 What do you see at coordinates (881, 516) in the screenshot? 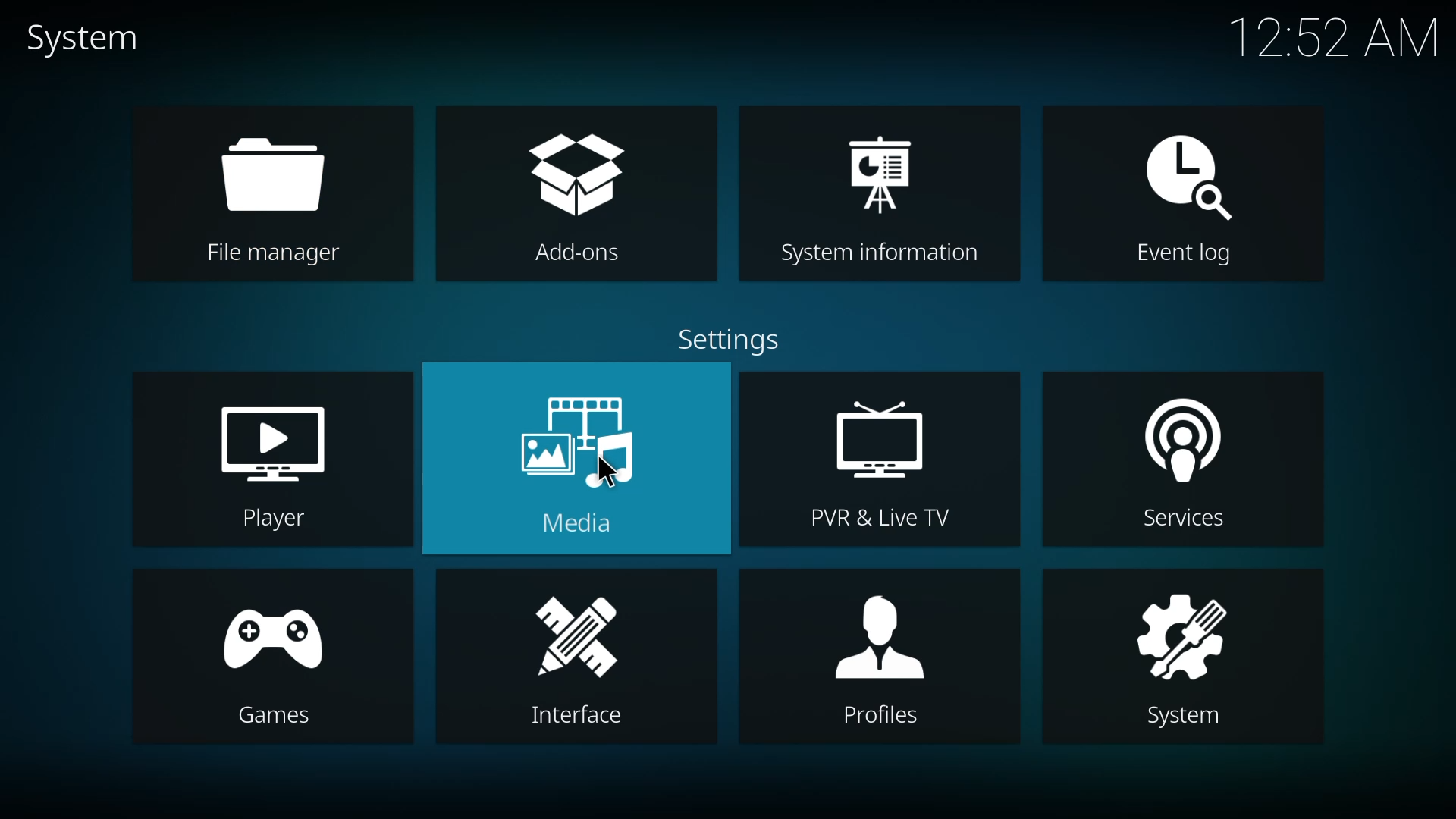
I see `PVR & Live TV` at bounding box center [881, 516].